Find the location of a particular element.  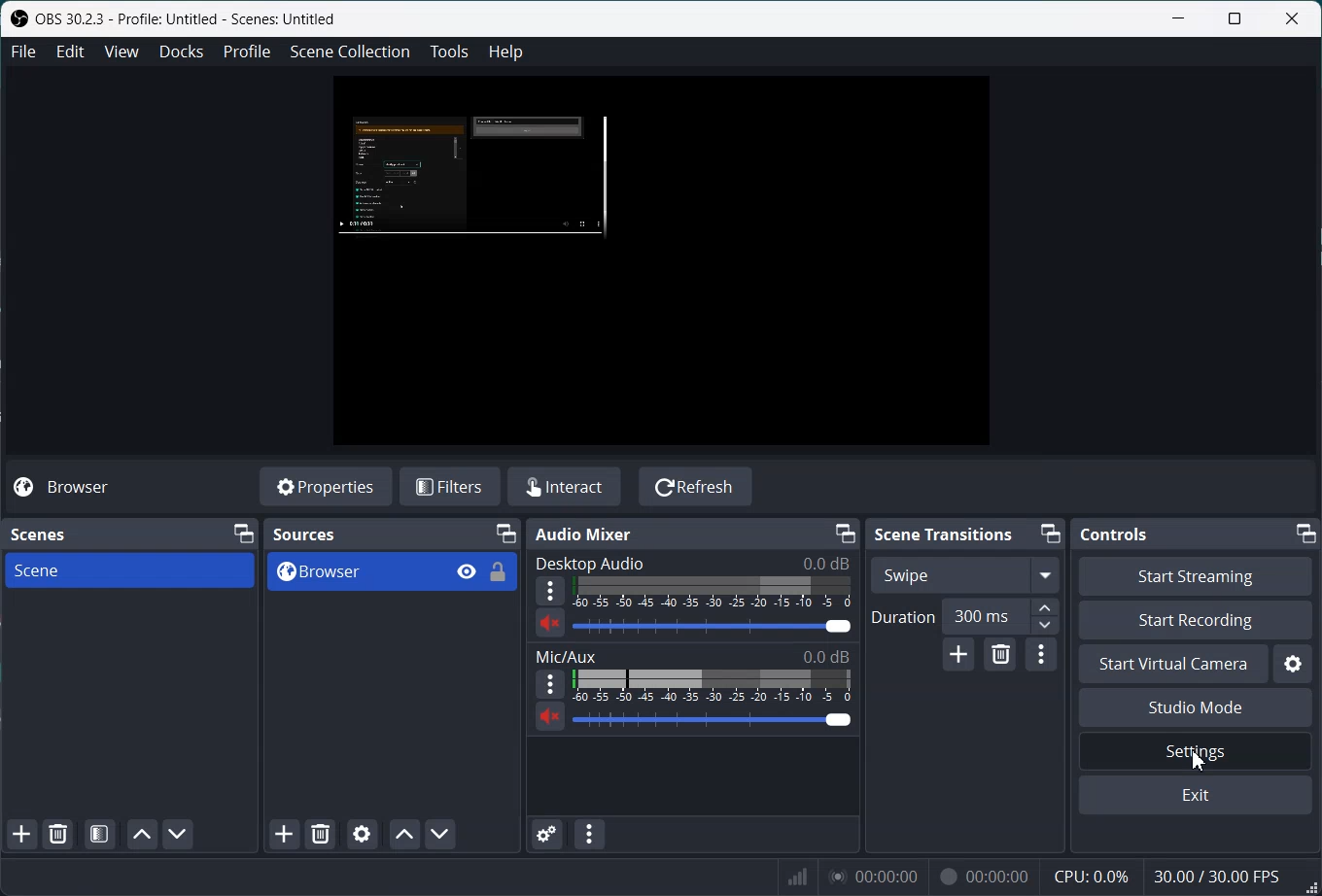

Refresh is located at coordinates (696, 486).